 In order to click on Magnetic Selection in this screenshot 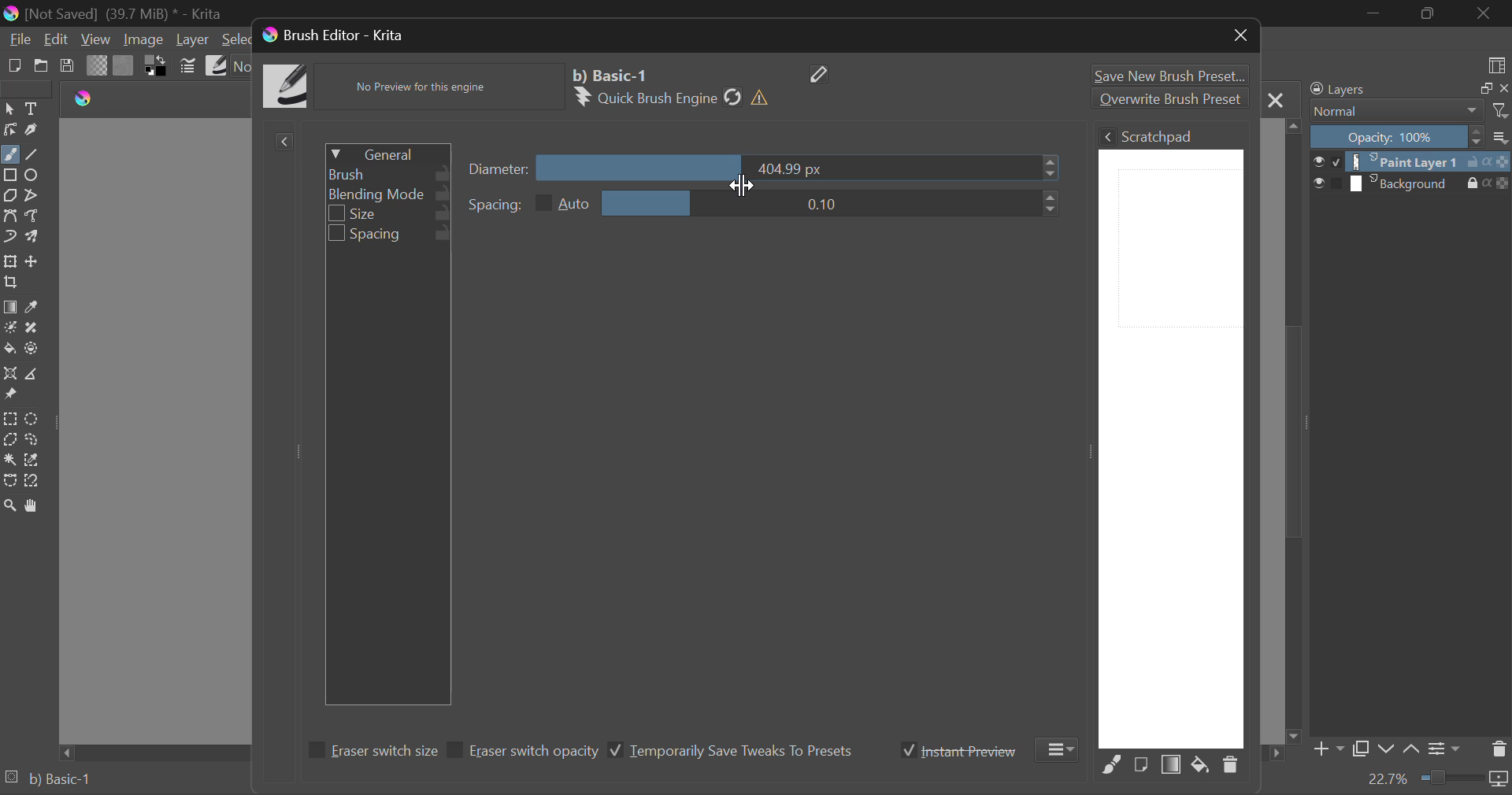, I will do `click(33, 482)`.